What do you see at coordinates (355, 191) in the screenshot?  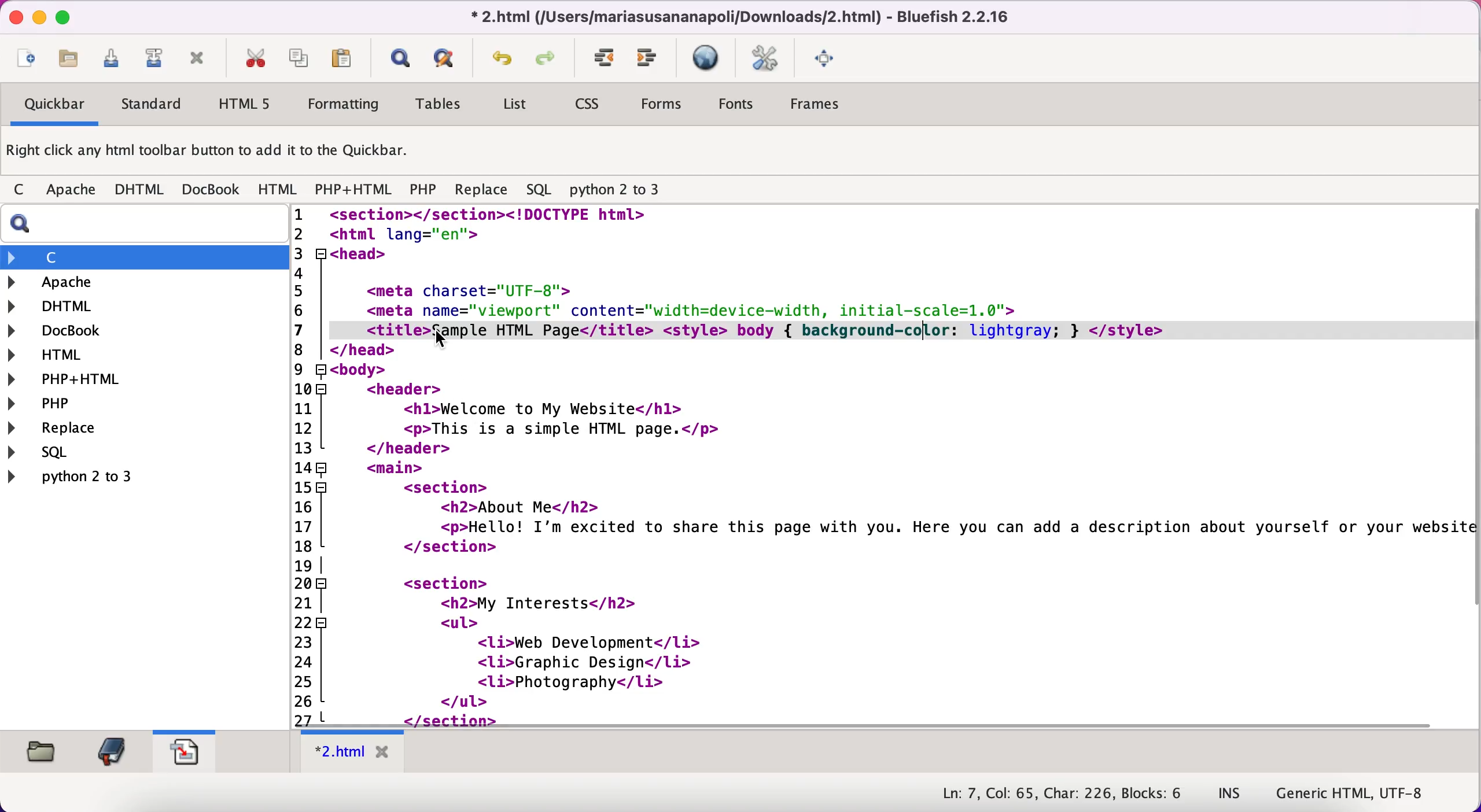 I see `php+html` at bounding box center [355, 191].